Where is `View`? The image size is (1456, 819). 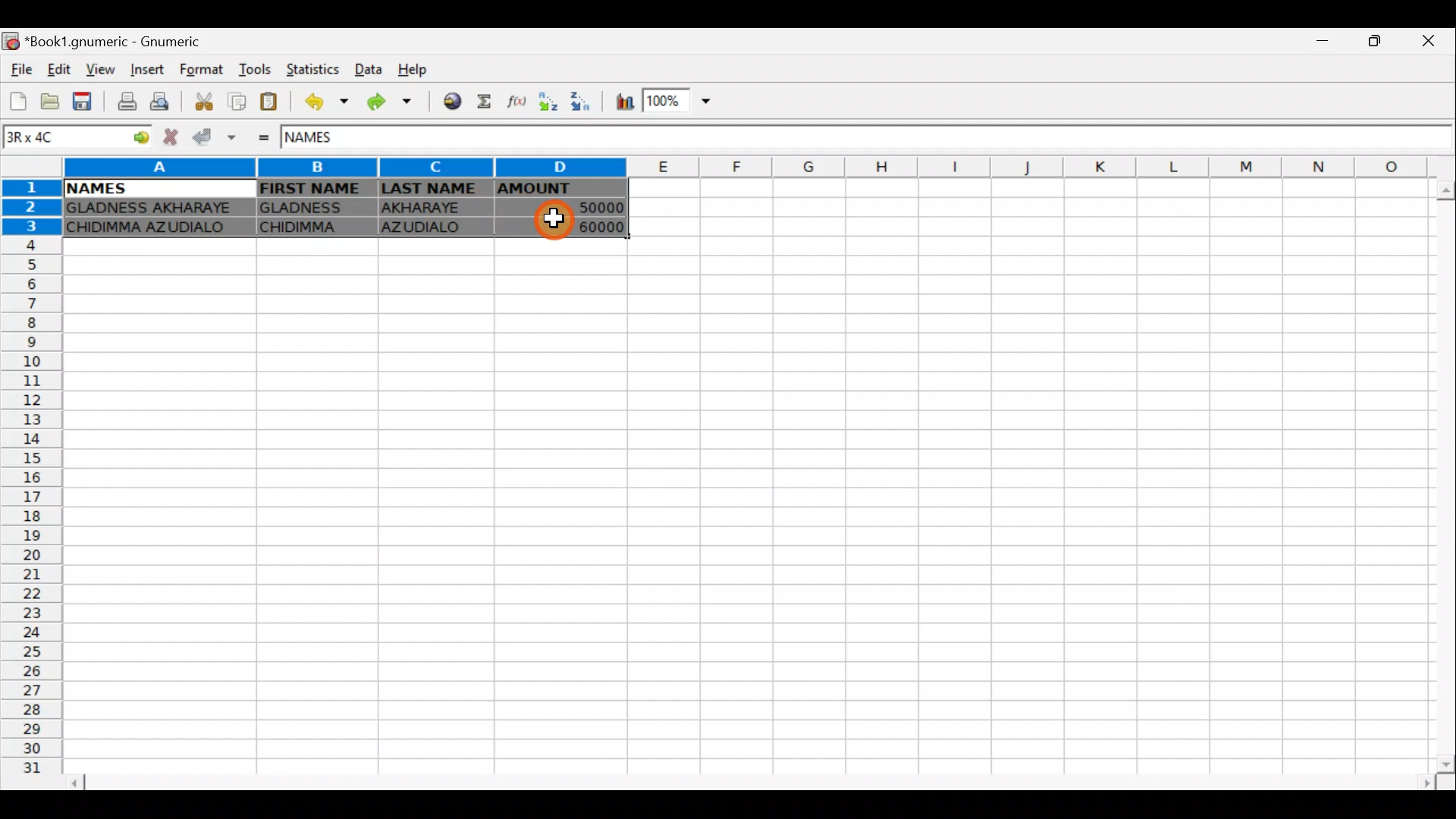
View is located at coordinates (96, 70).